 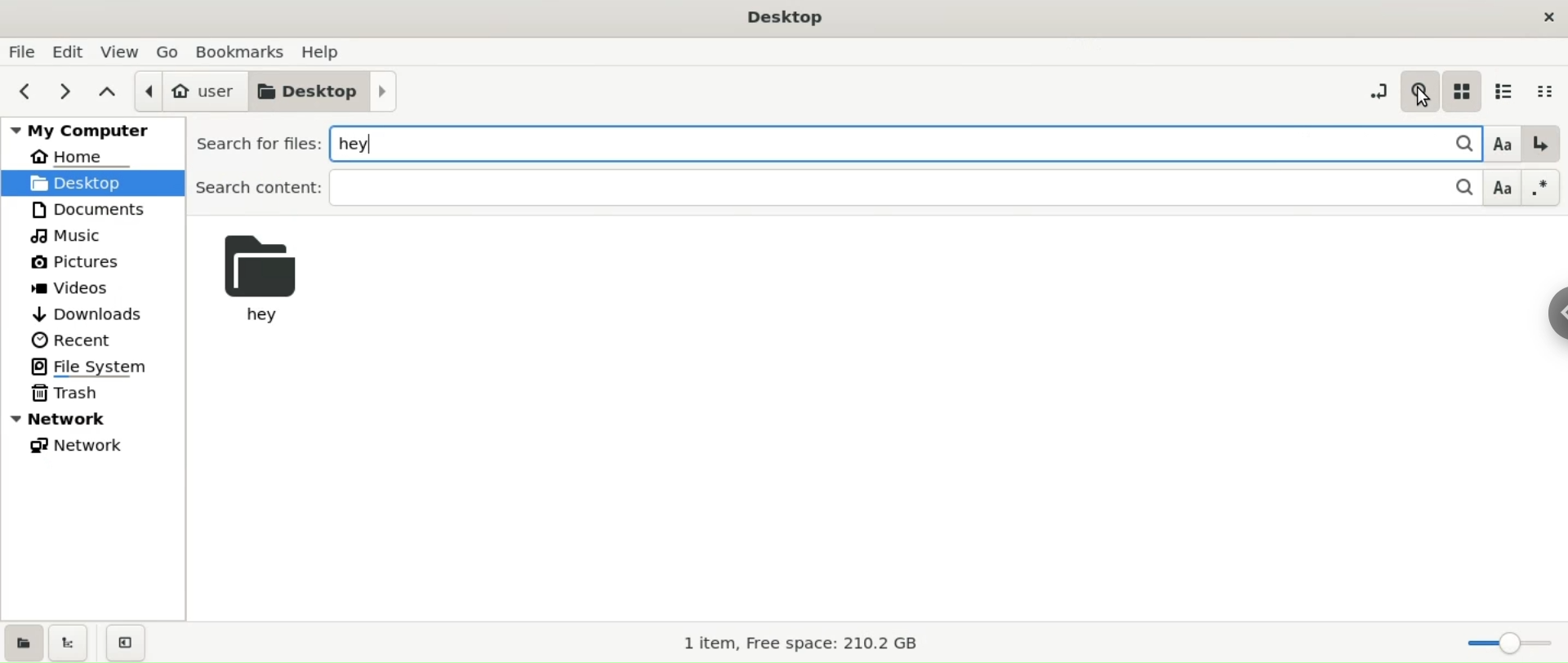 I want to click on desktop, so click(x=326, y=93).